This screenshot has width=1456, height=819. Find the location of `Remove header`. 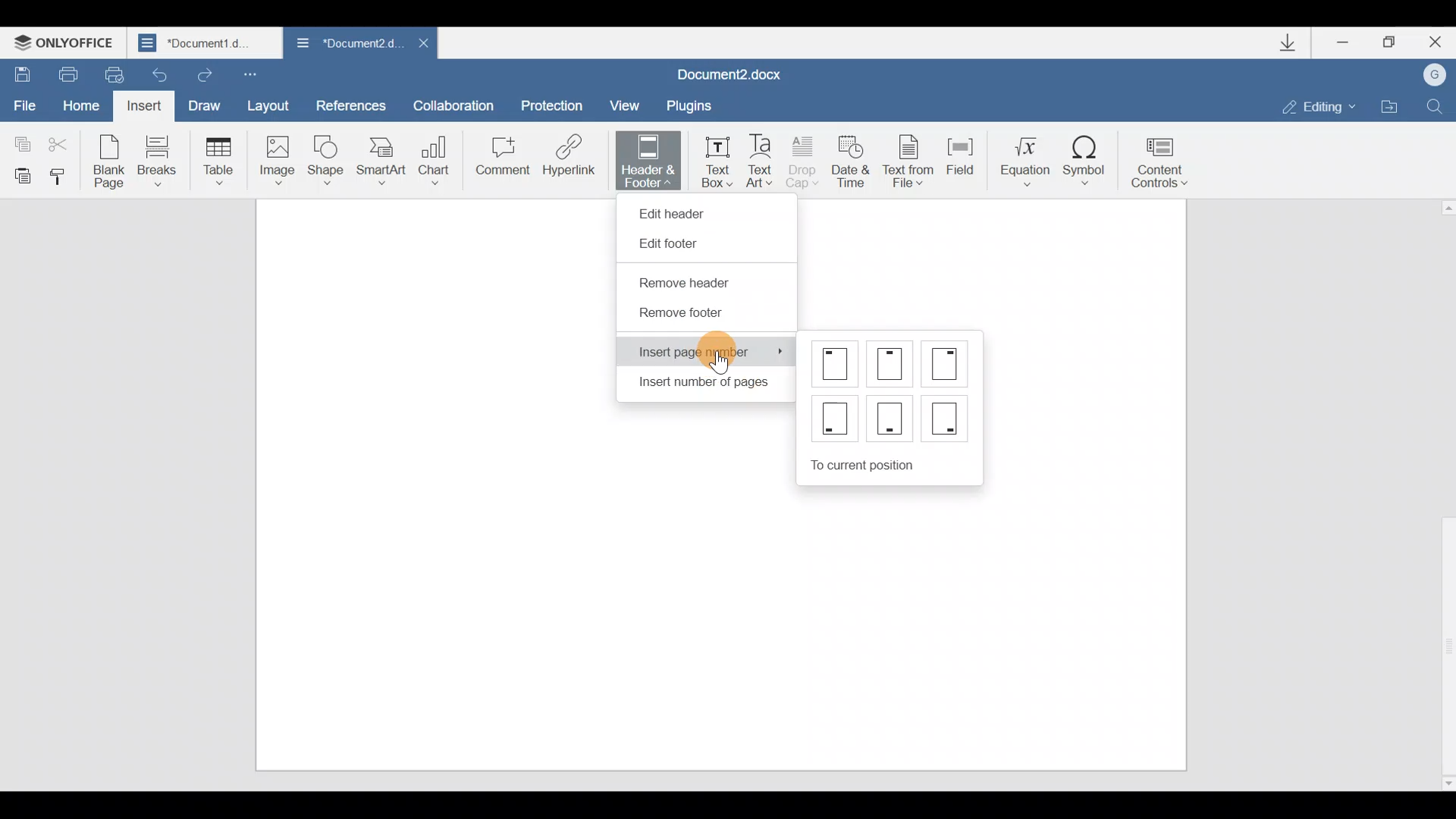

Remove header is located at coordinates (695, 284).